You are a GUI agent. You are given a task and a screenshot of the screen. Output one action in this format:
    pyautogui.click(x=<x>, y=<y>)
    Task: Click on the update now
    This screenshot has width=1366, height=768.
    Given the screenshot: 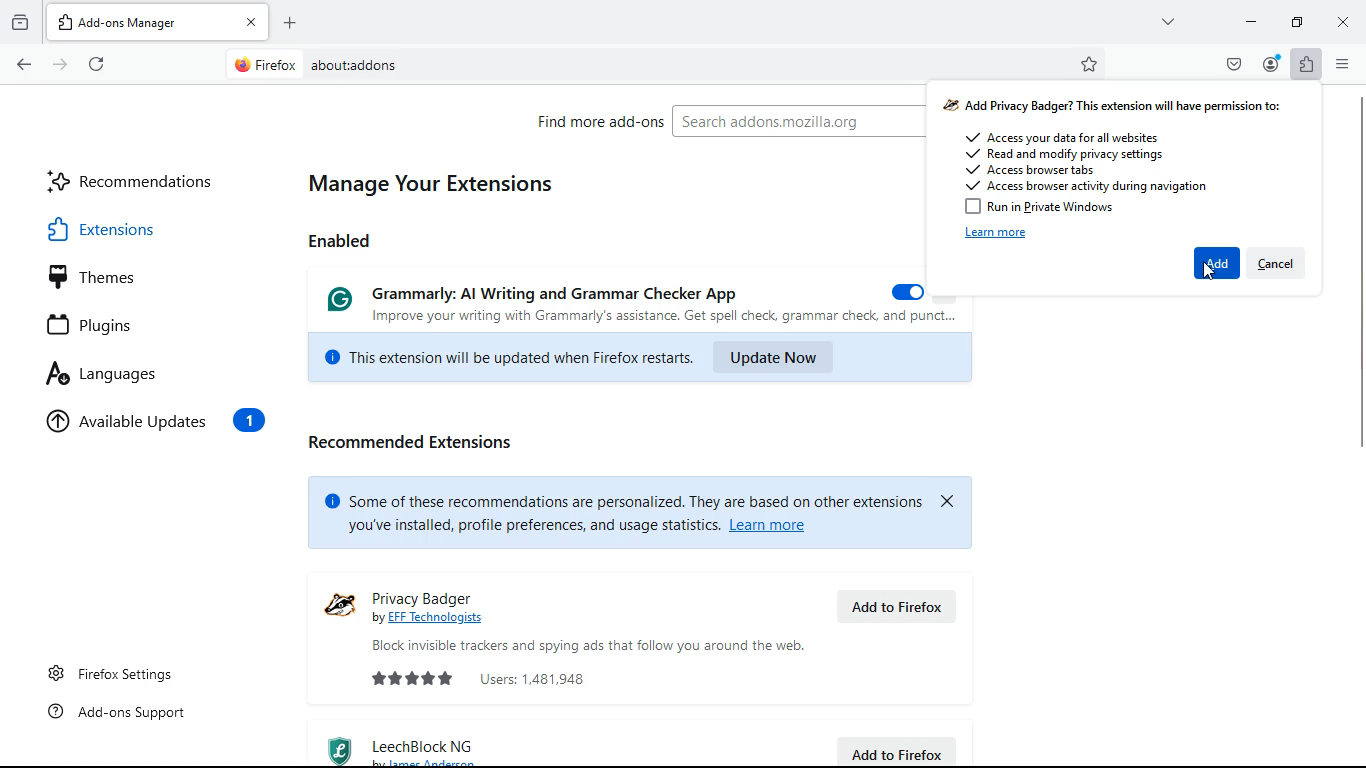 What is the action you would take?
    pyautogui.click(x=800, y=358)
    